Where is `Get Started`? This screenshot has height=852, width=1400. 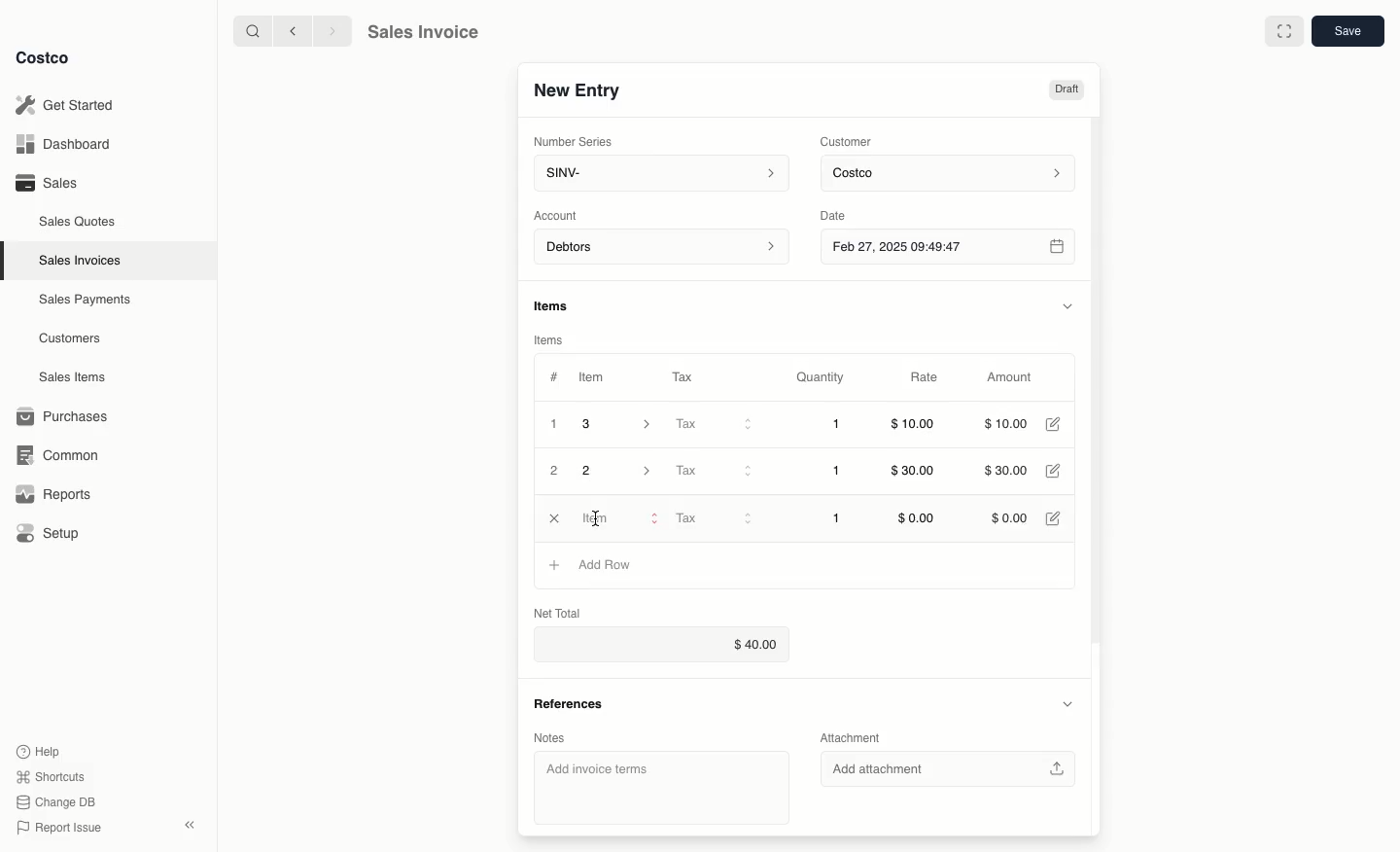 Get Started is located at coordinates (68, 105).